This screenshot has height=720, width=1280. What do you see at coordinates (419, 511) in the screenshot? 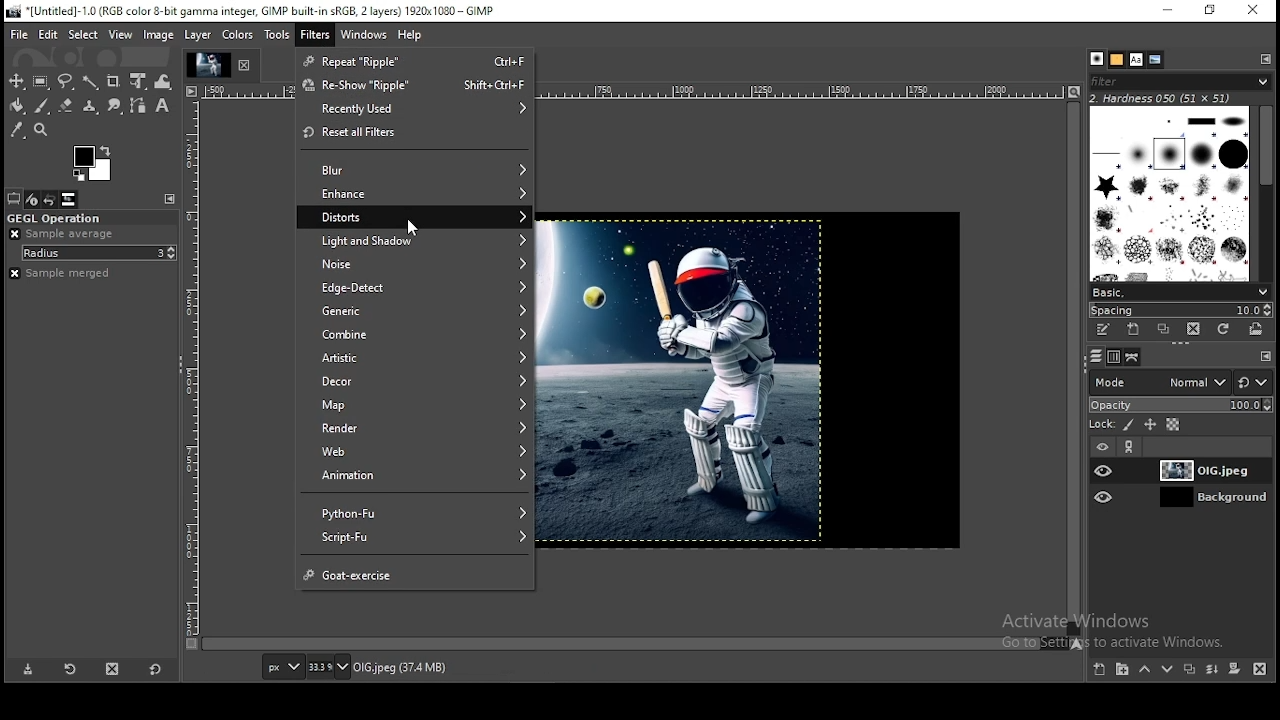
I see `python fu` at bounding box center [419, 511].